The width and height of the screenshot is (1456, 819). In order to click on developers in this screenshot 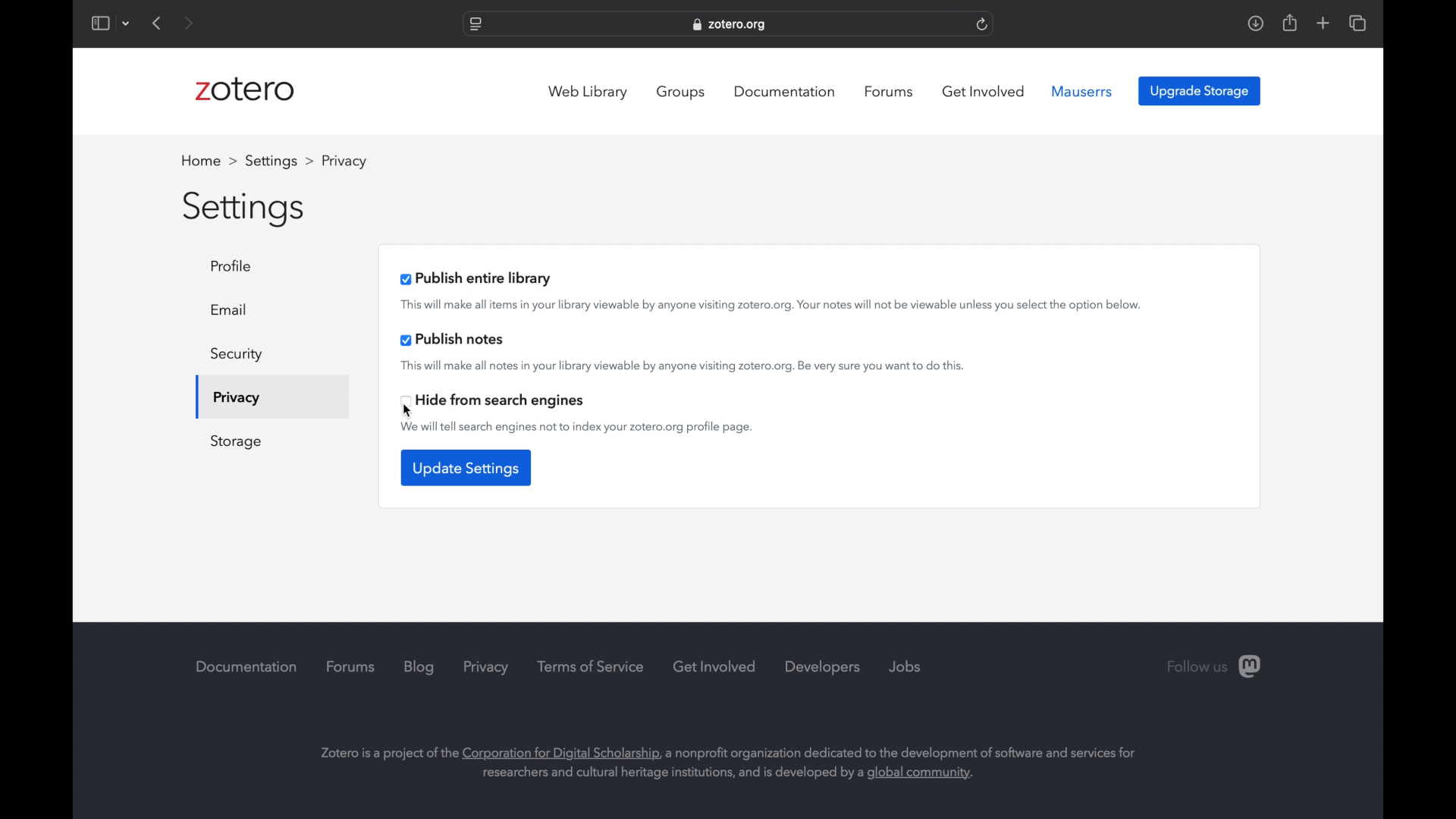, I will do `click(823, 667)`.